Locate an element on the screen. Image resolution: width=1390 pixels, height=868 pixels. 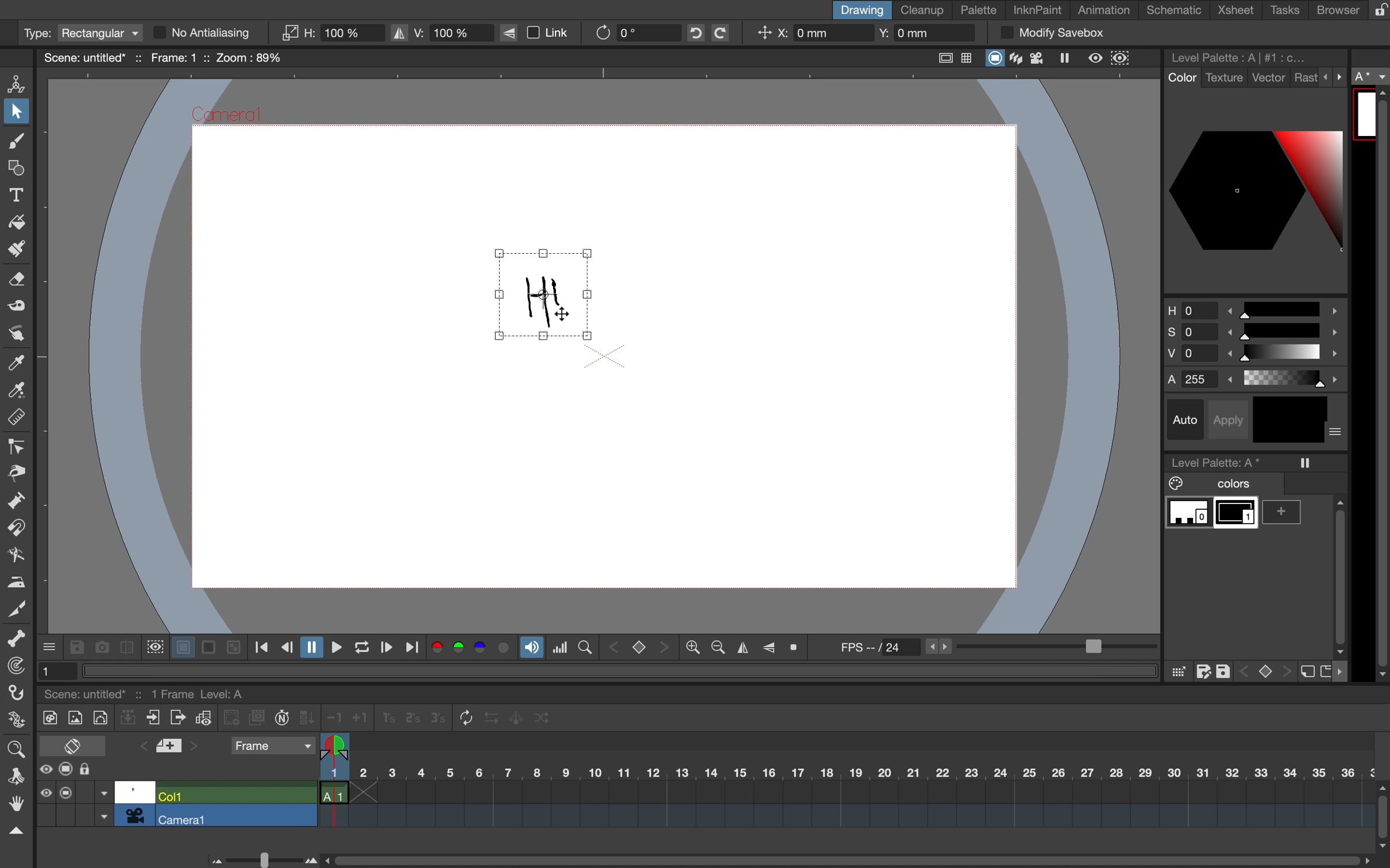
horizontal scaling is located at coordinates (332, 33).